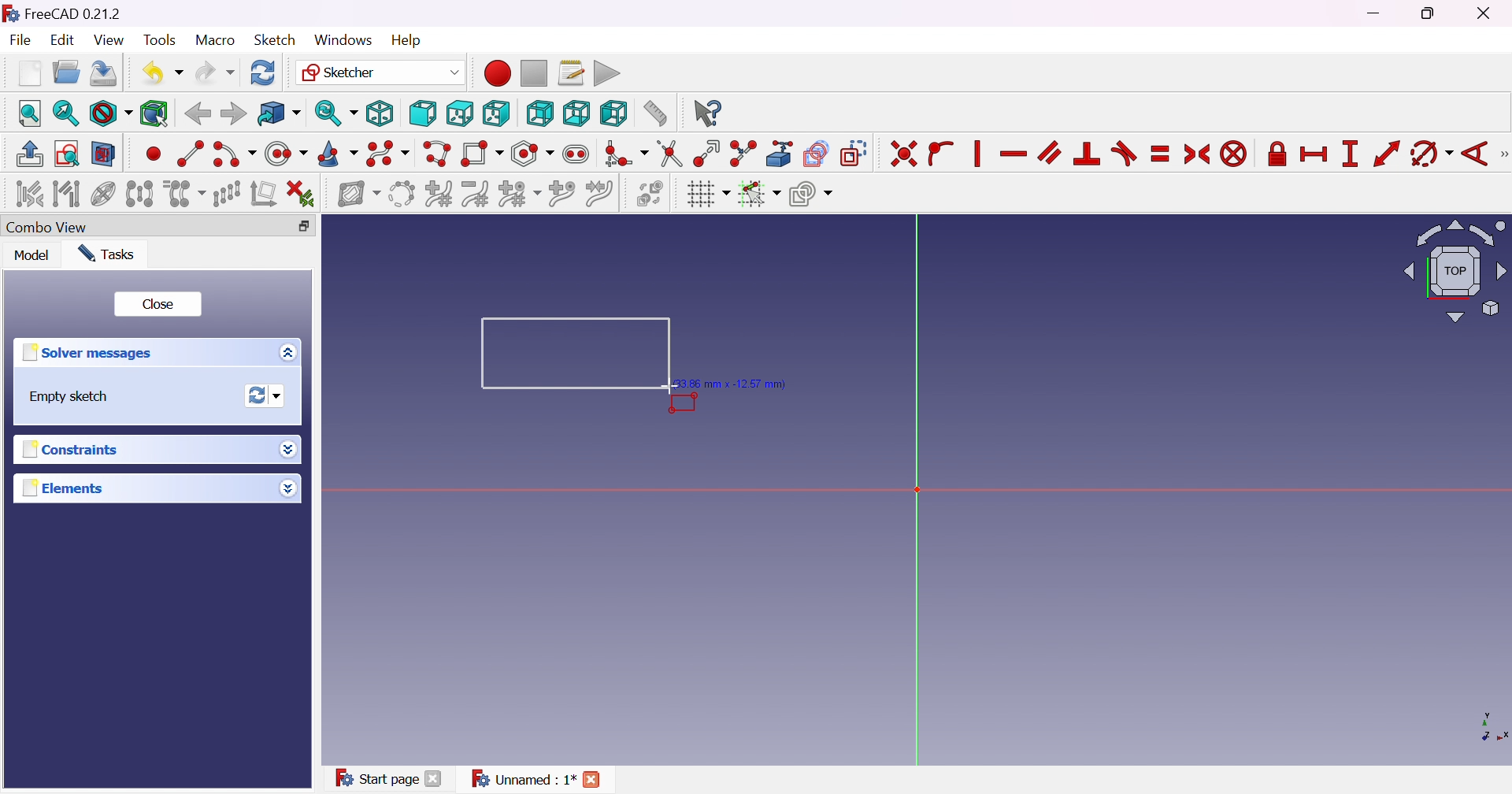 This screenshot has width=1512, height=794. What do you see at coordinates (336, 113) in the screenshot?
I see `Sync view` at bounding box center [336, 113].